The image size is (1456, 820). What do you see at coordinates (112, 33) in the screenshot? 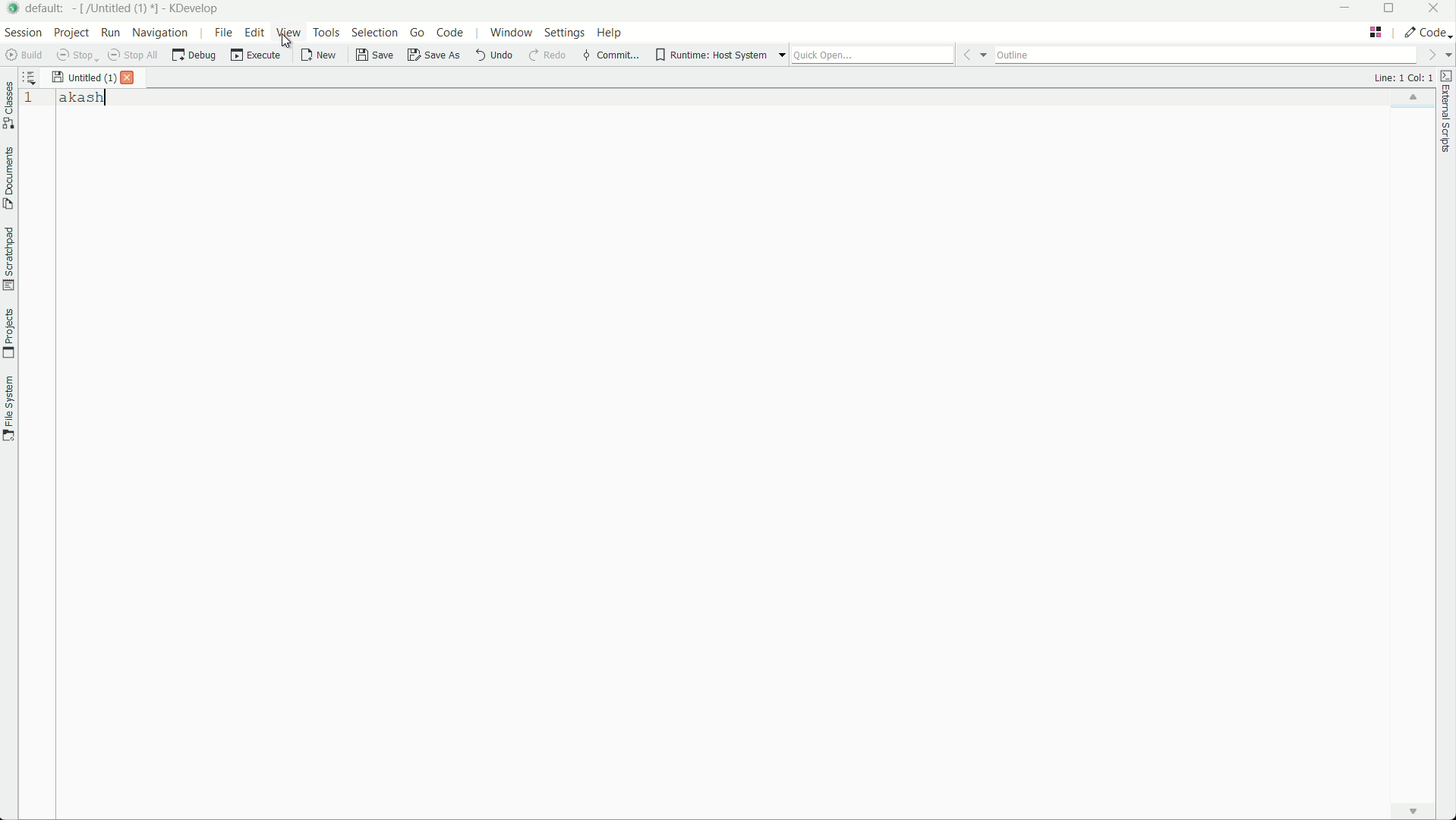
I see `run` at bounding box center [112, 33].